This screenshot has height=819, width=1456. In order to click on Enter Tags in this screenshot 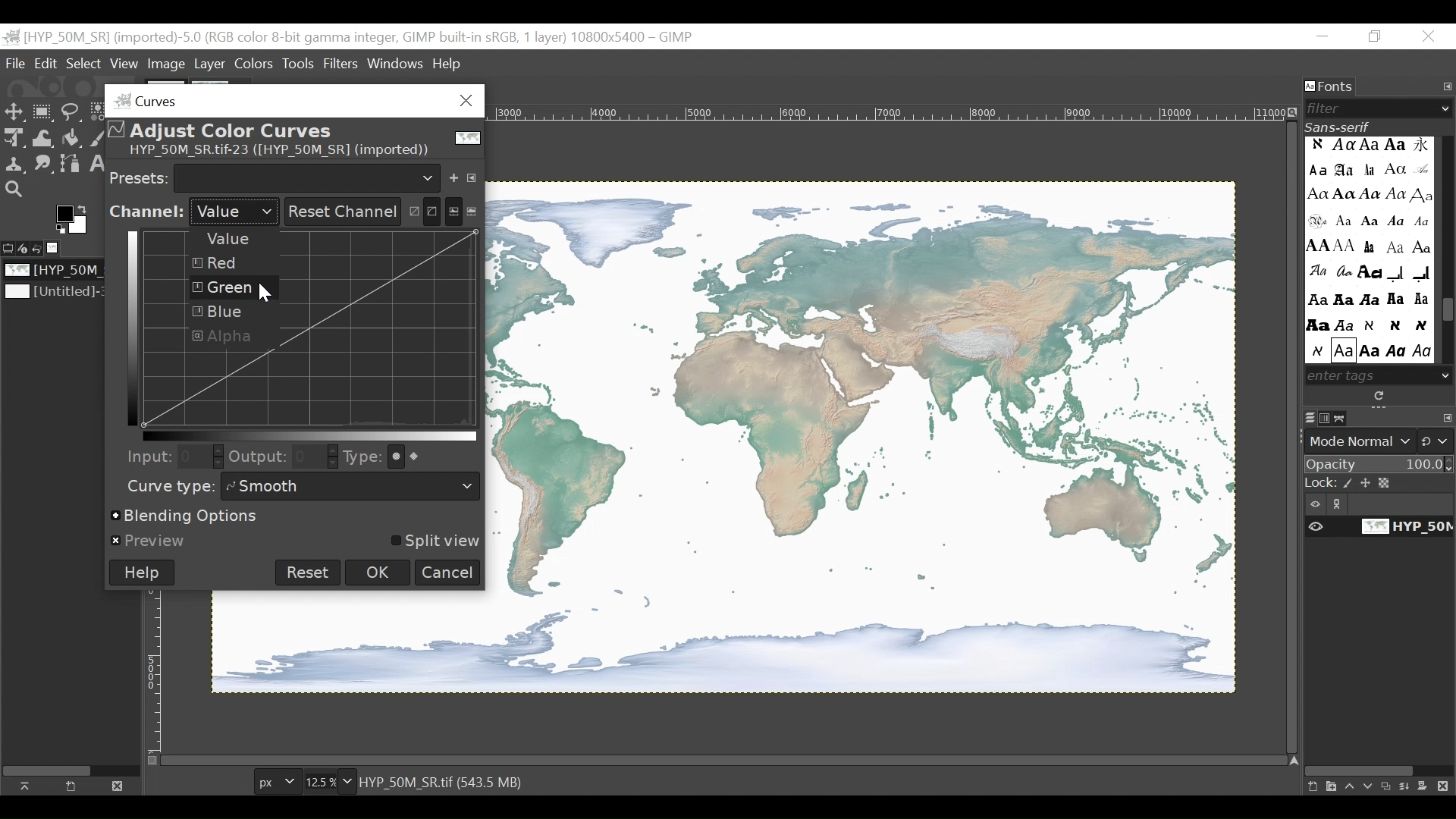, I will do `click(1368, 249)`.